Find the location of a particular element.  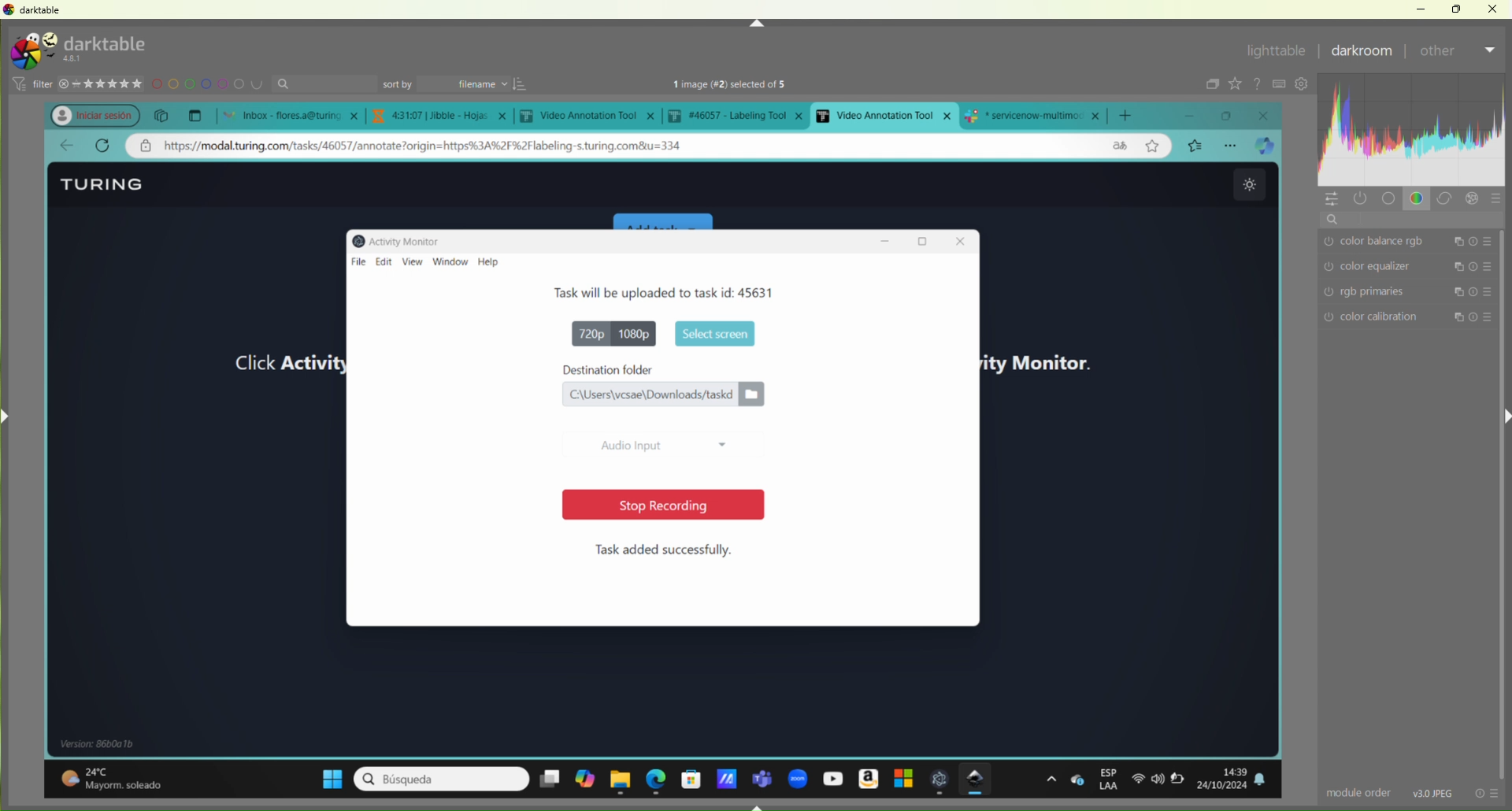

click activity is located at coordinates (273, 363).